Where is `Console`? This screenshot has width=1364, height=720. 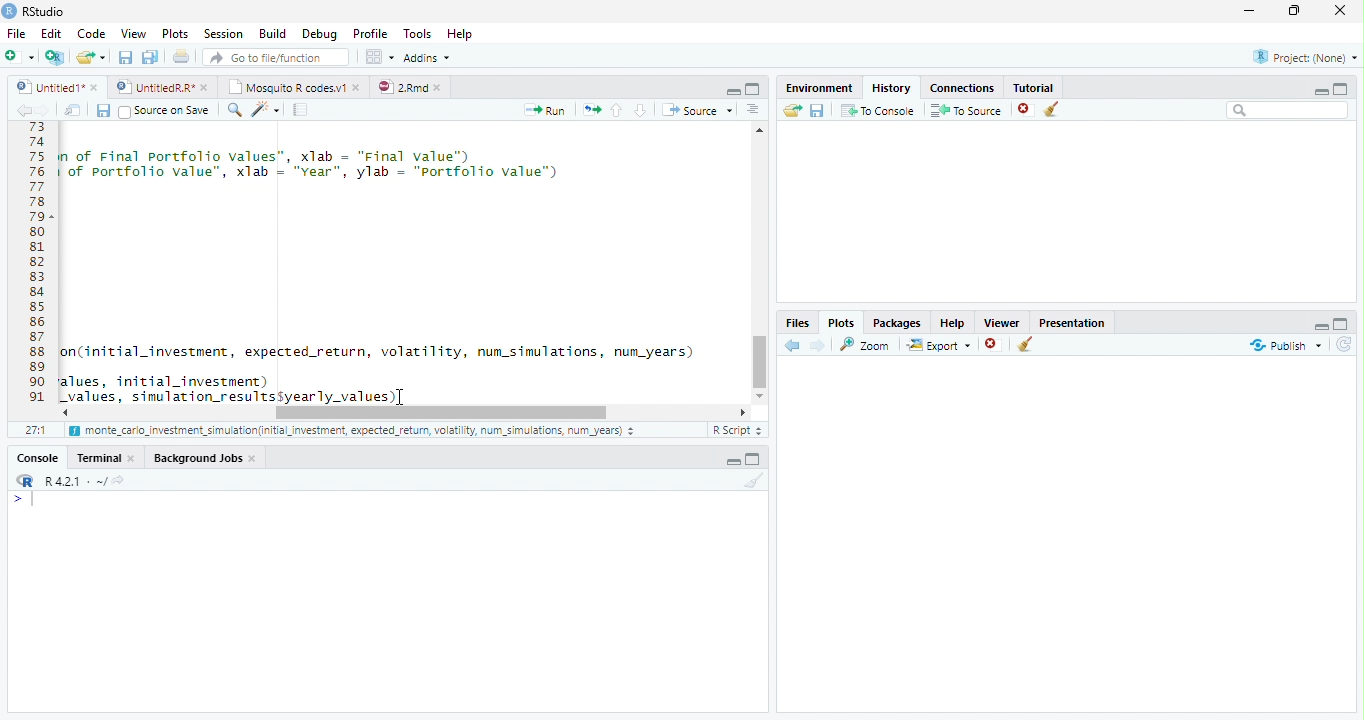
Console is located at coordinates (387, 601).